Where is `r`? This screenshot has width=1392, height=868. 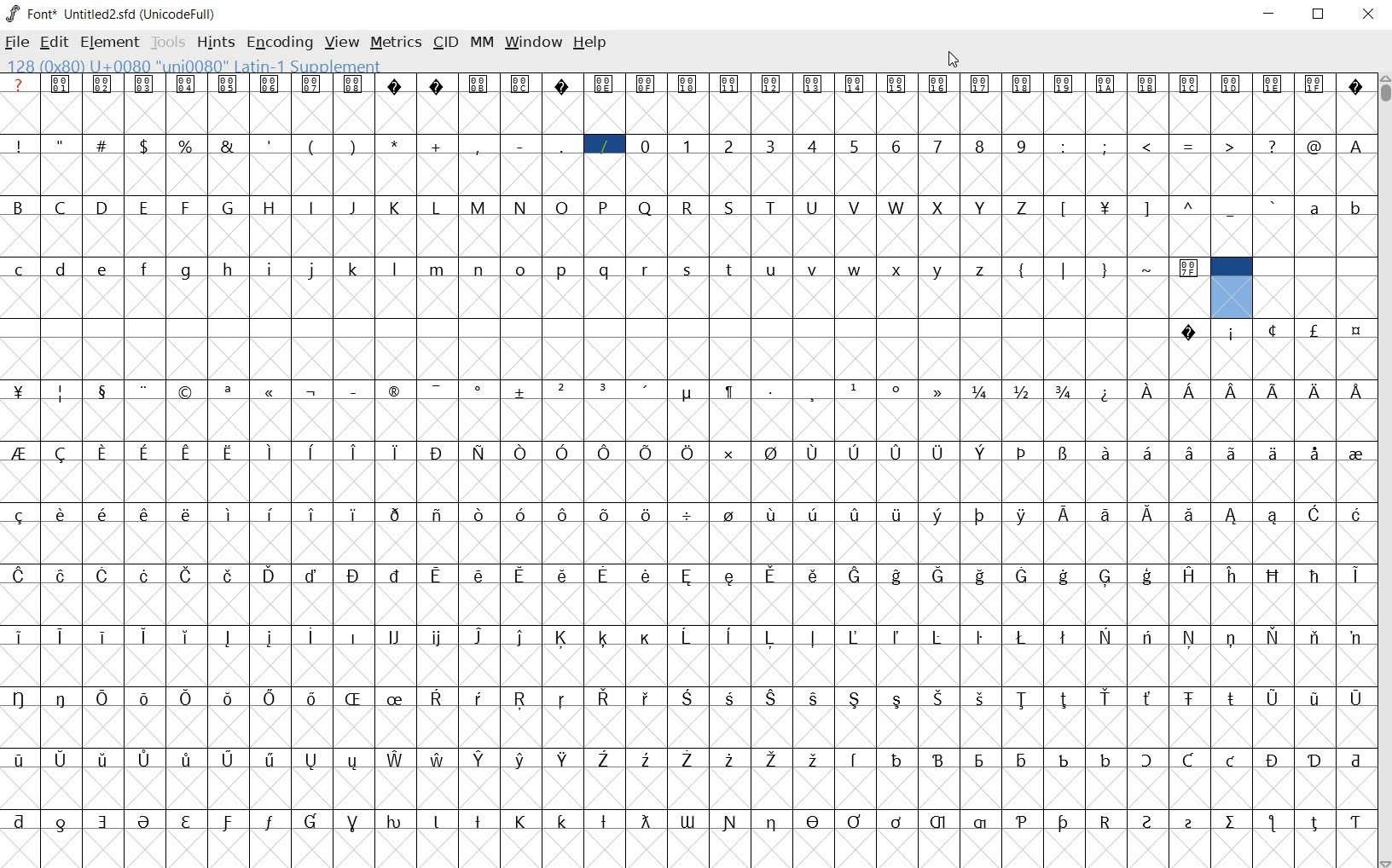 r is located at coordinates (647, 267).